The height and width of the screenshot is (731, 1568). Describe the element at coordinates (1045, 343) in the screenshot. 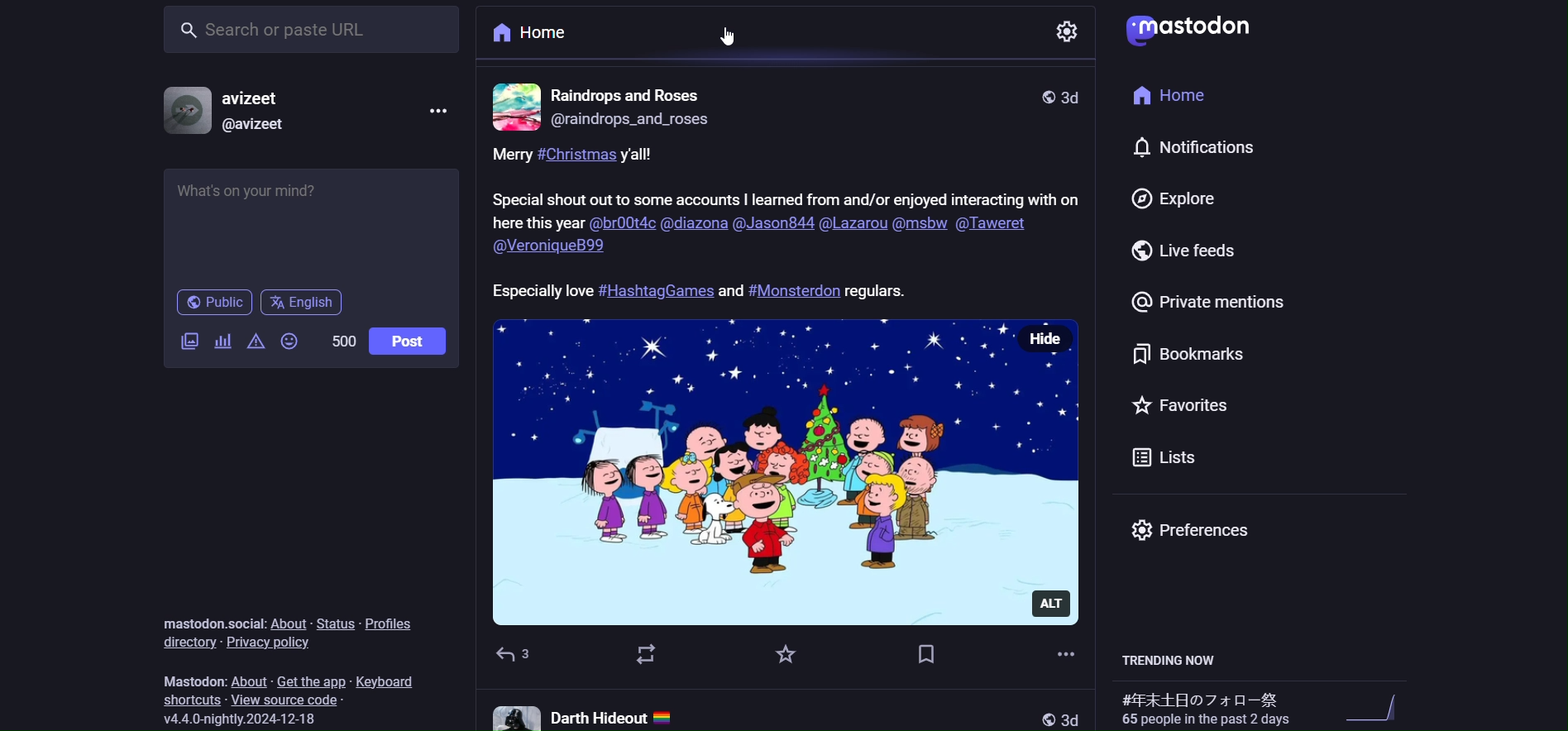

I see `hide` at that location.